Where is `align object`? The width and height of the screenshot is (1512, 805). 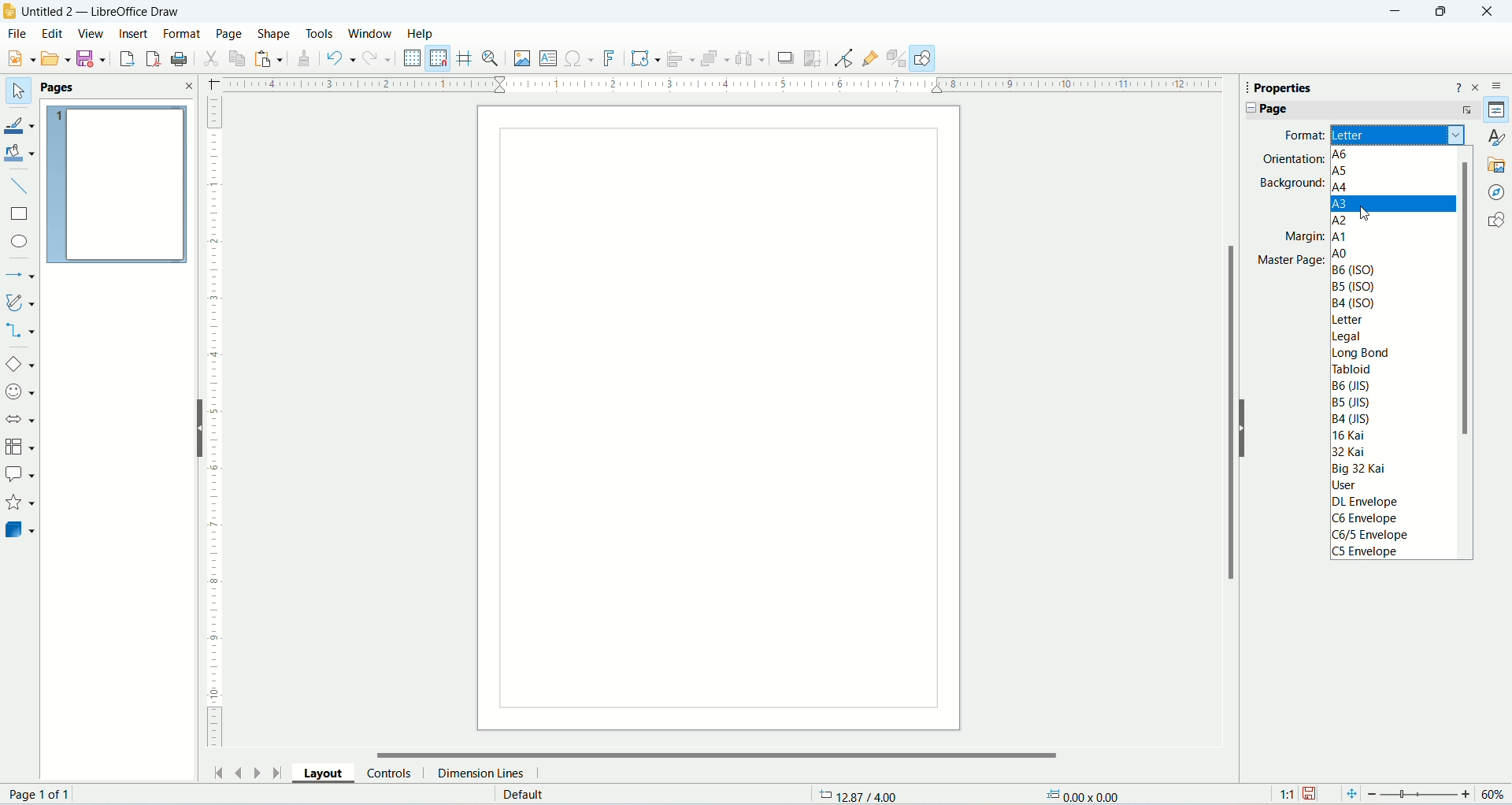 align object is located at coordinates (680, 61).